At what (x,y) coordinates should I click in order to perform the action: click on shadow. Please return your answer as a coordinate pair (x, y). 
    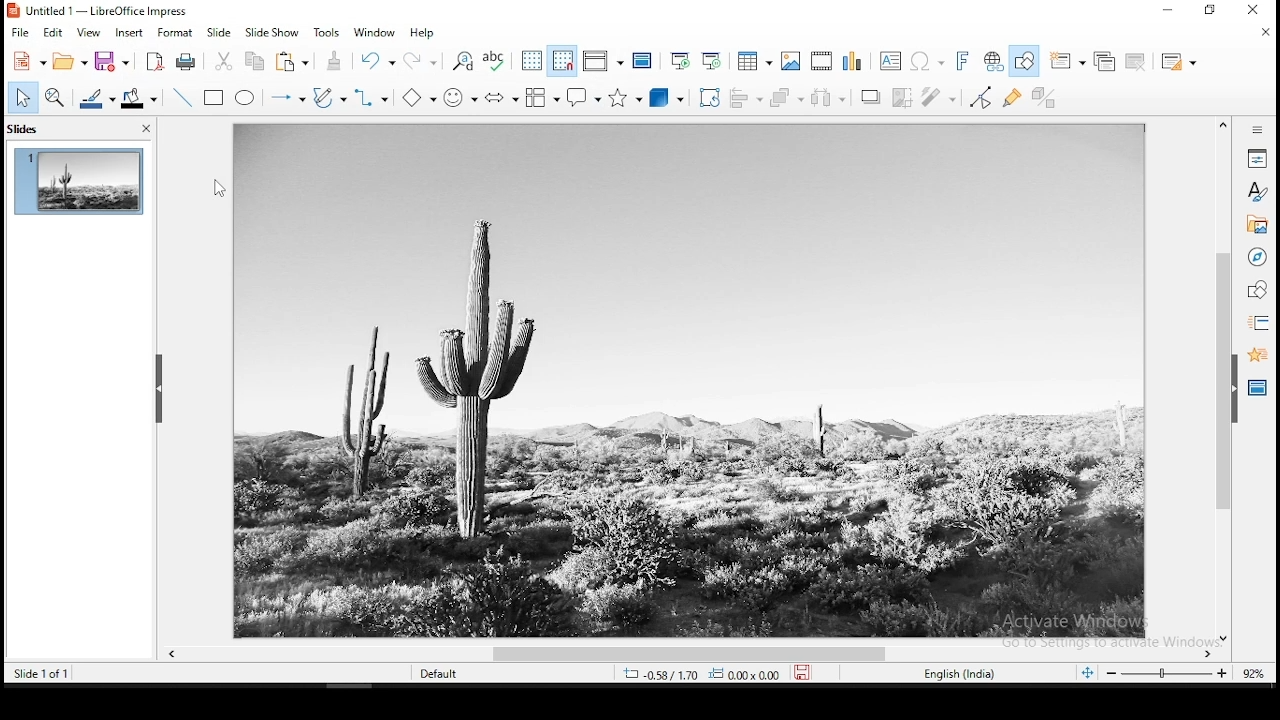
    Looking at the image, I should click on (869, 96).